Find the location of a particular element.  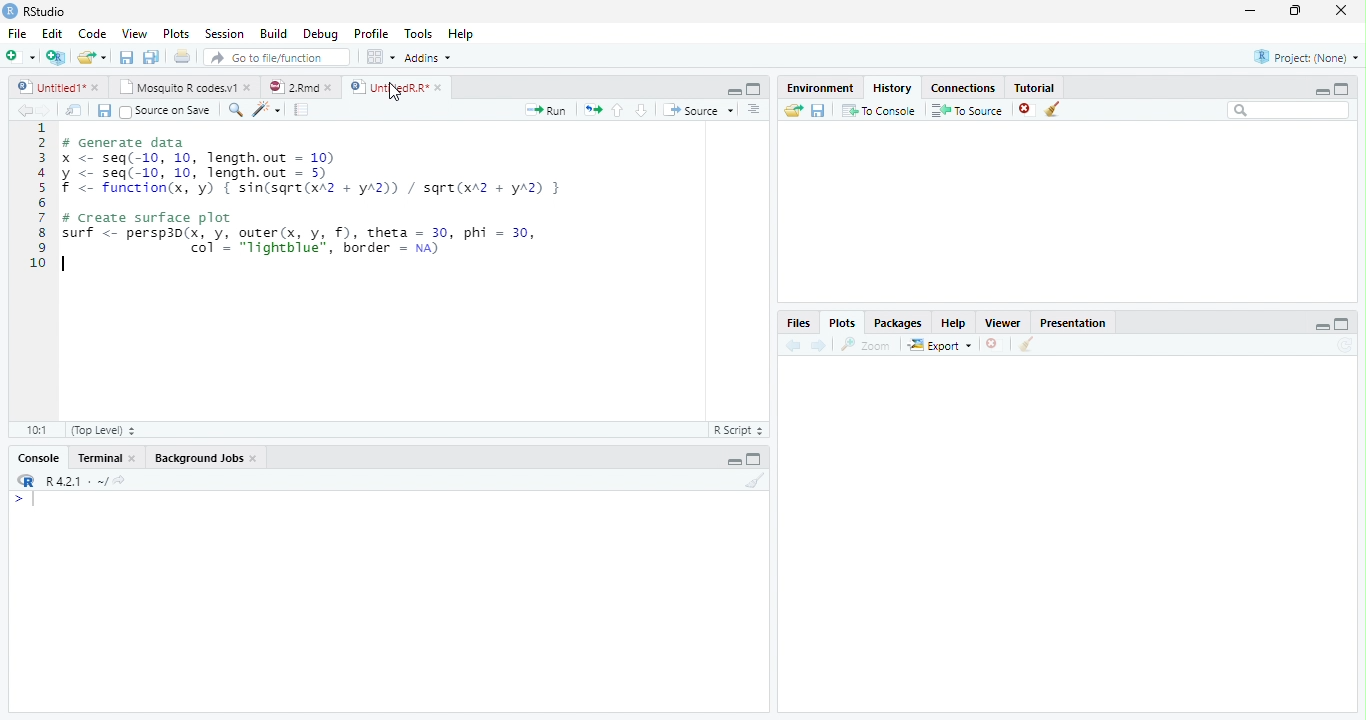

Minimize is located at coordinates (732, 91).